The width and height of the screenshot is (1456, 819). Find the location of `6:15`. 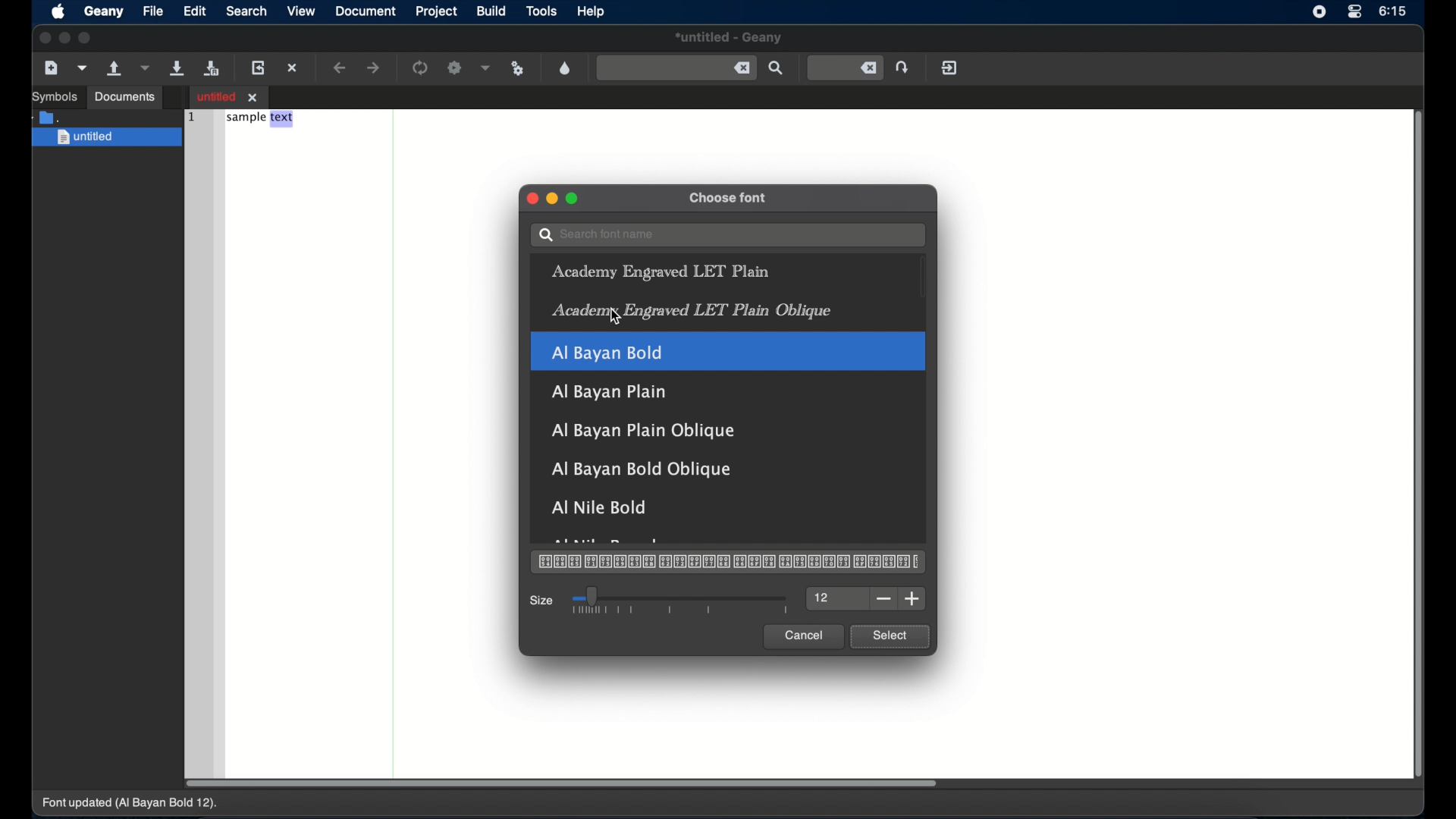

6:15 is located at coordinates (1393, 11).